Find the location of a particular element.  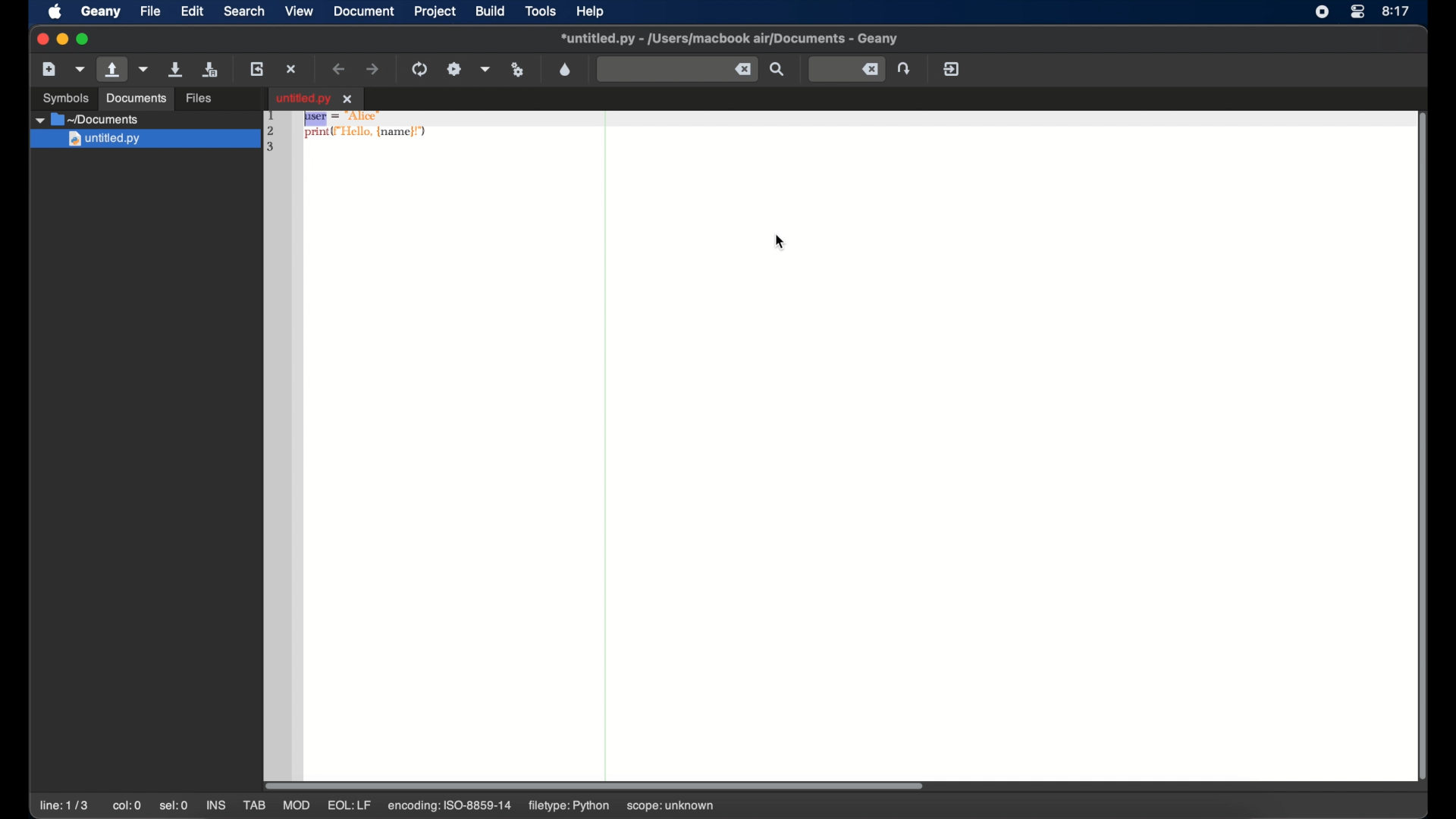

cursor is located at coordinates (783, 243).